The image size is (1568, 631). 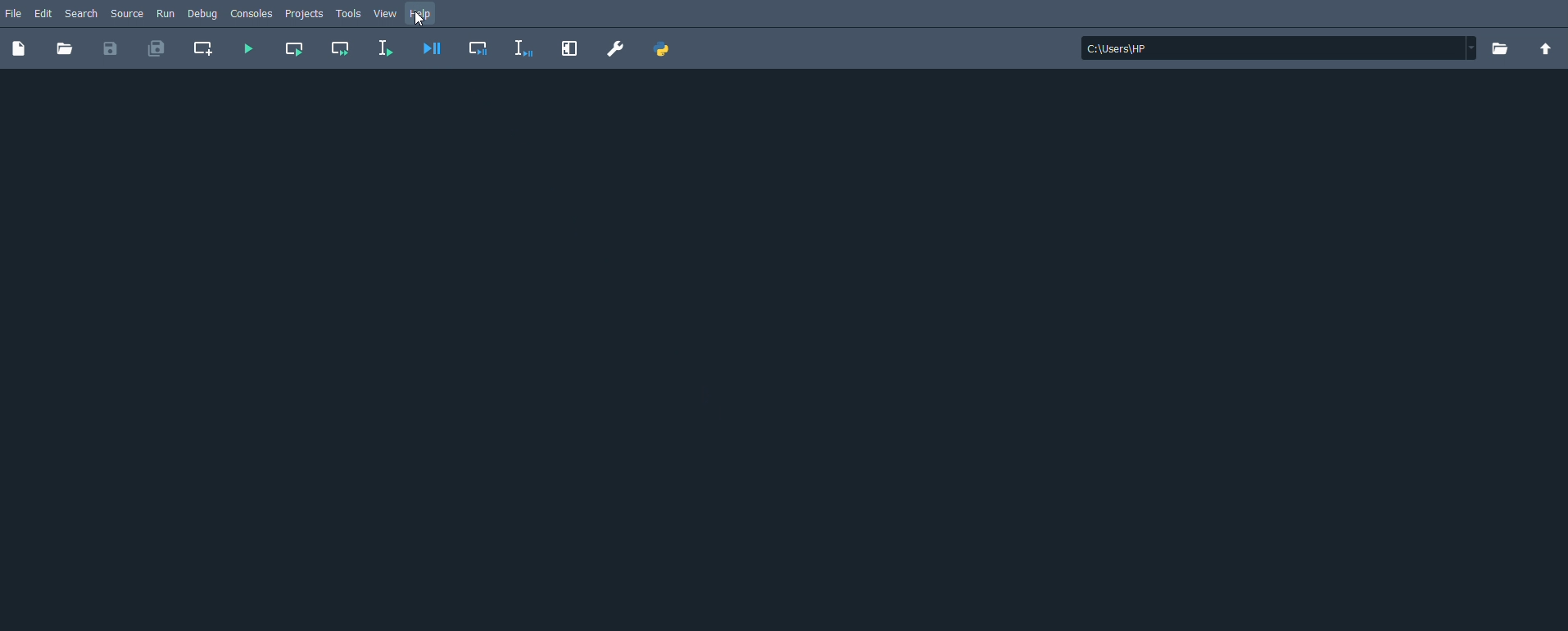 What do you see at coordinates (14, 12) in the screenshot?
I see `File` at bounding box center [14, 12].